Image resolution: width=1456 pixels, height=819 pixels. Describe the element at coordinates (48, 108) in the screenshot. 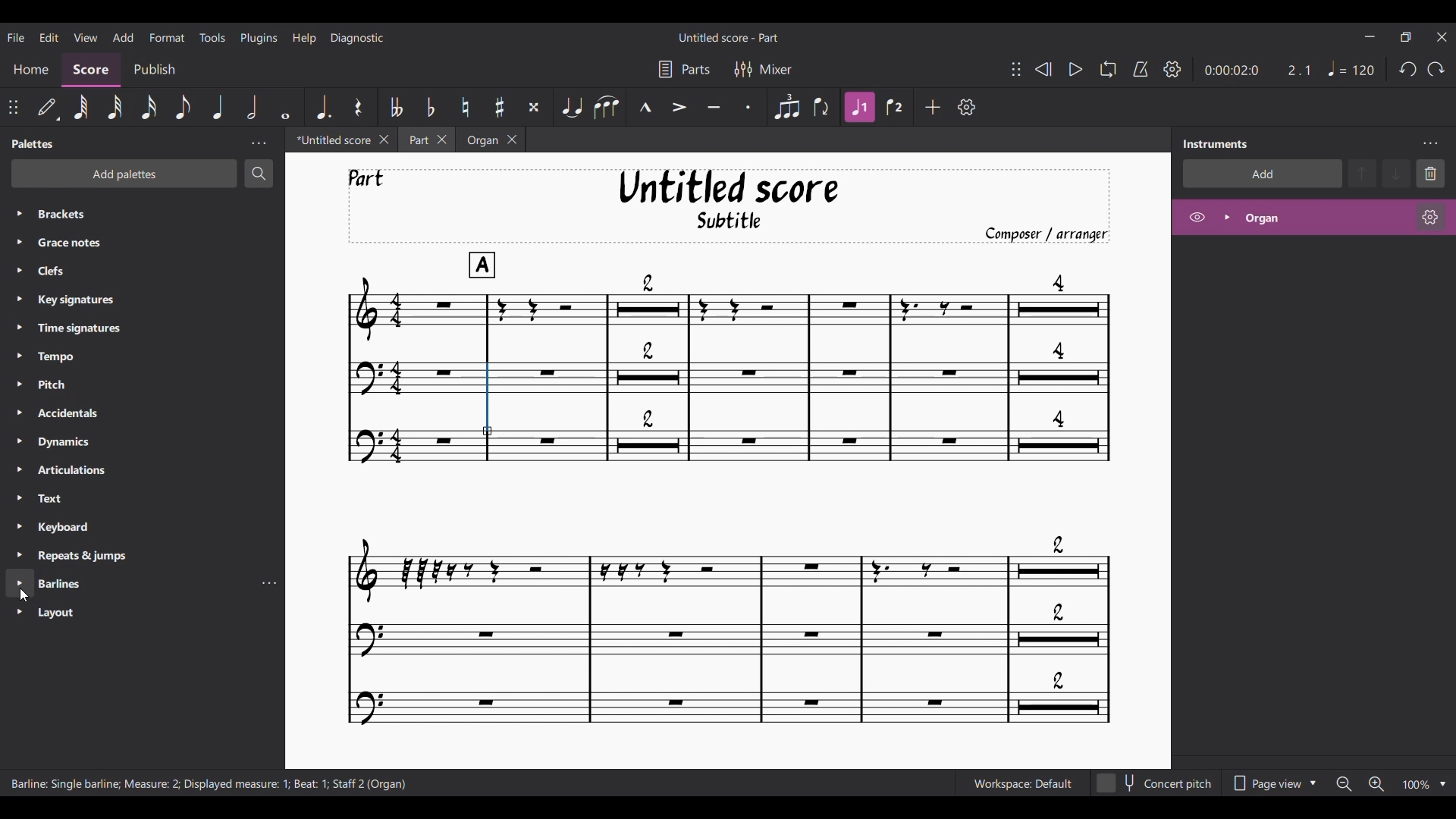

I see `Default` at that location.